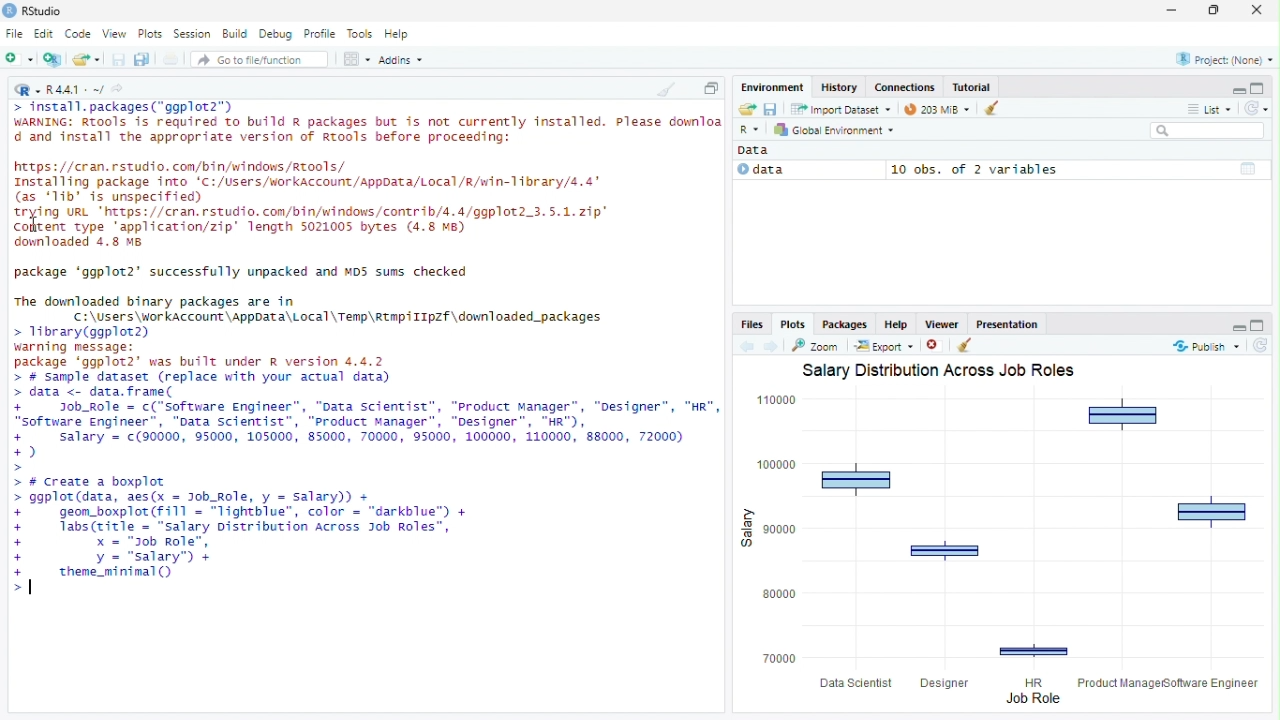  I want to click on Refresh the list of objects, so click(1256, 107).